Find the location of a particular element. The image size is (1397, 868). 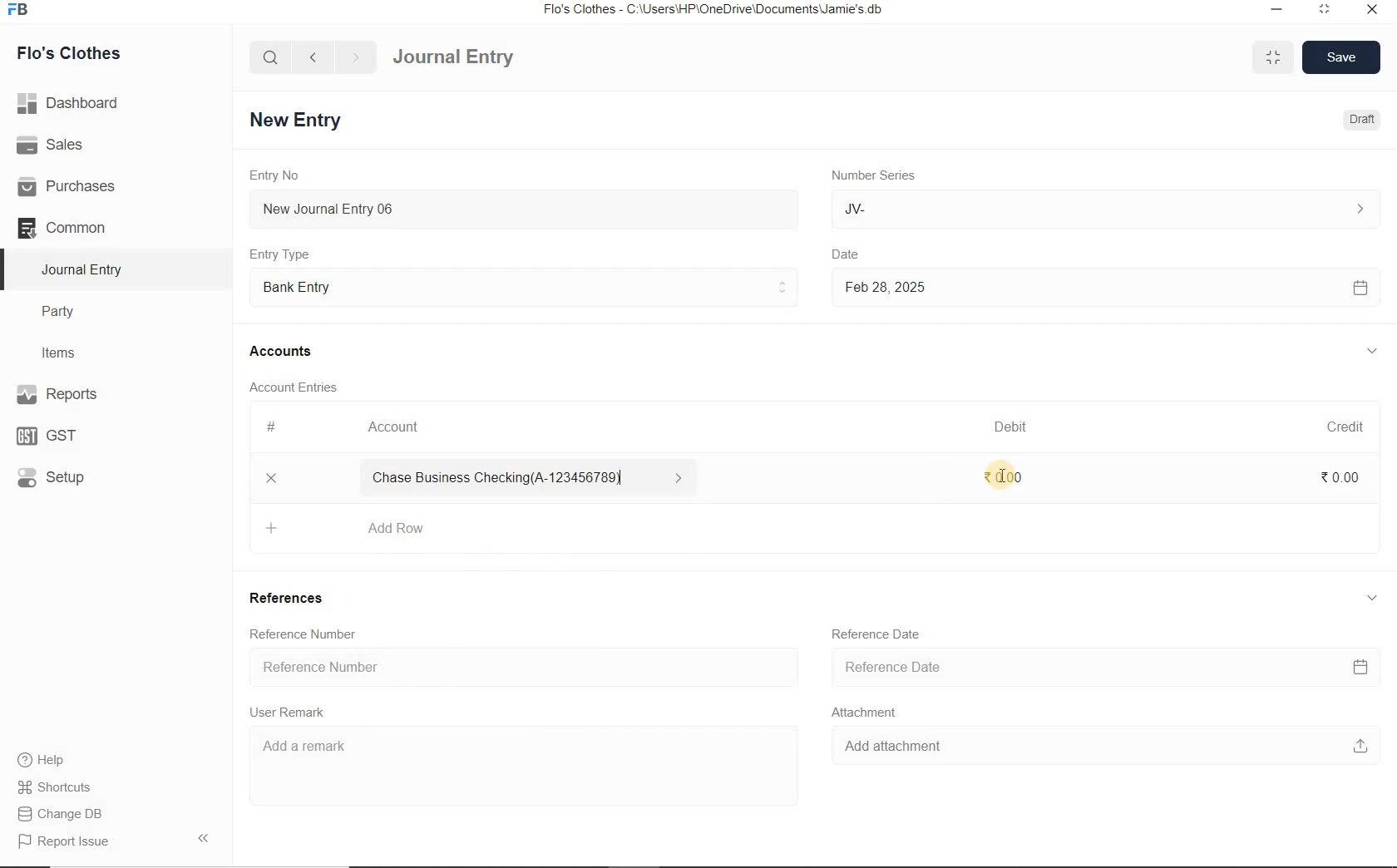

Journal Entry is located at coordinates (84, 269).